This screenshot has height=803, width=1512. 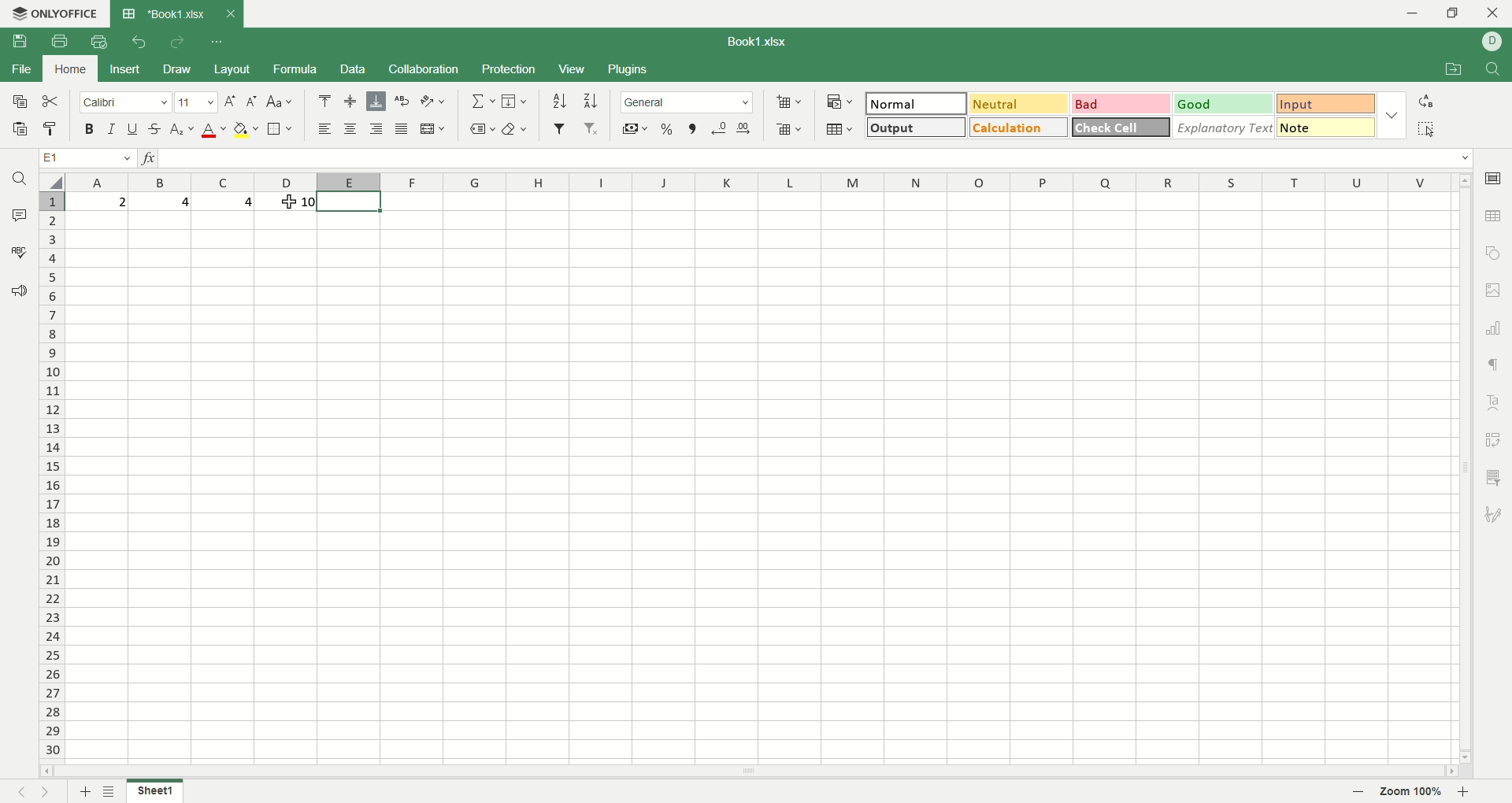 I want to click on decrease decimal, so click(x=720, y=128).